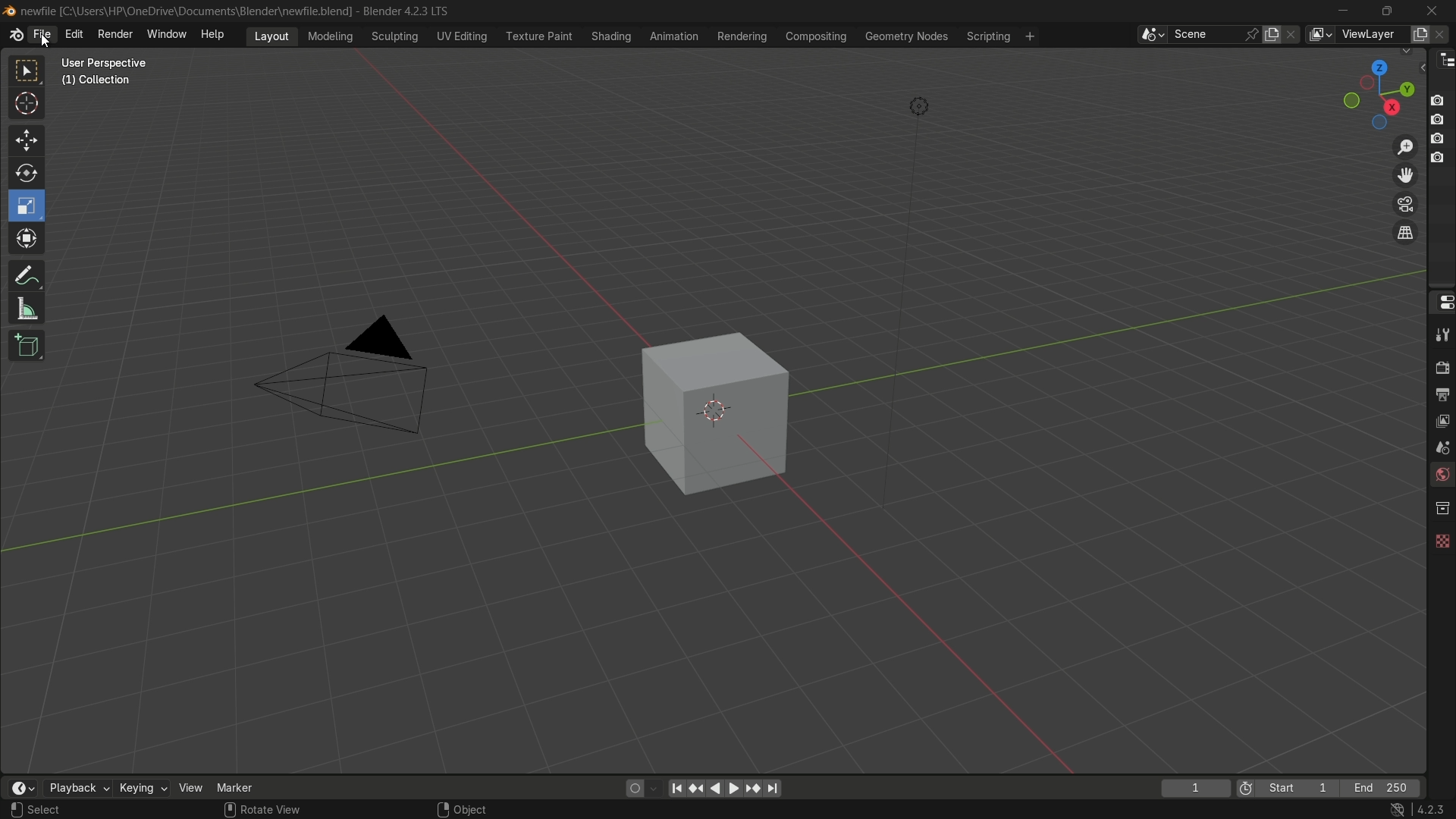 This screenshot has width=1456, height=819. What do you see at coordinates (29, 206) in the screenshot?
I see `scale` at bounding box center [29, 206].